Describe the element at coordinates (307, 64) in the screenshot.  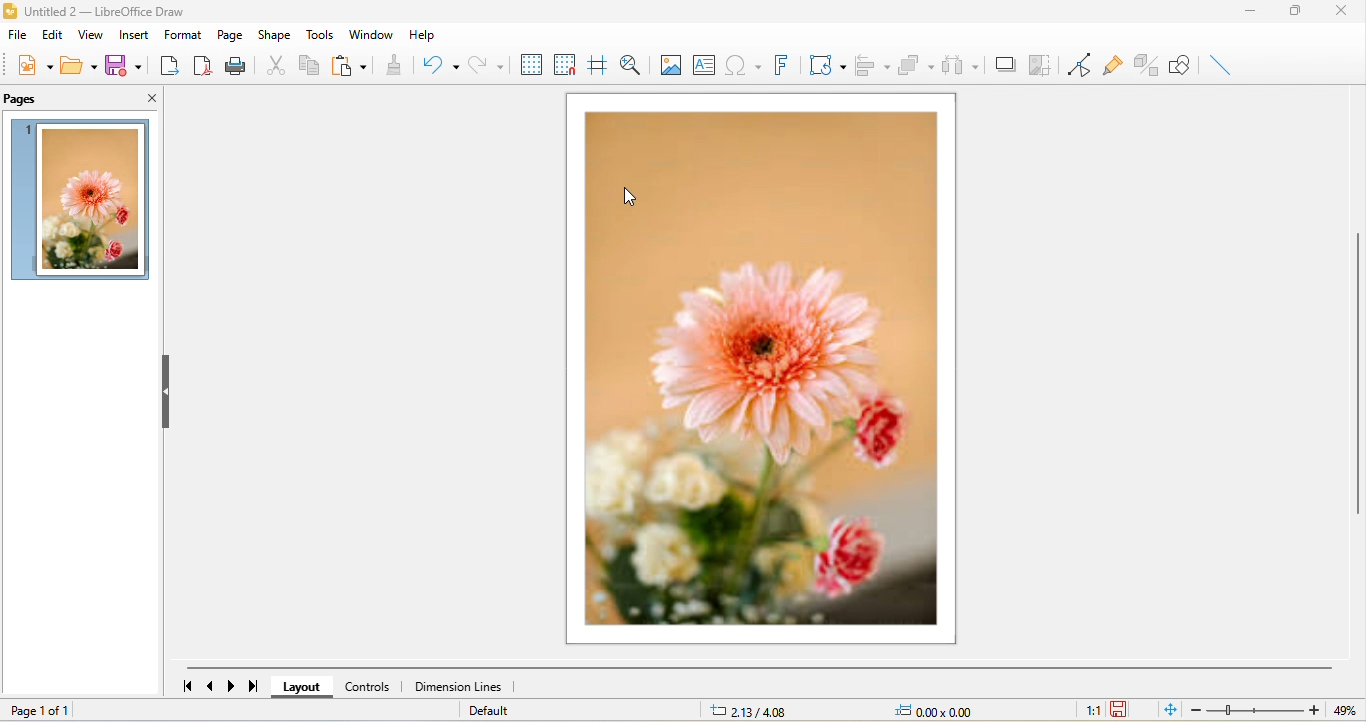
I see `copy` at that location.